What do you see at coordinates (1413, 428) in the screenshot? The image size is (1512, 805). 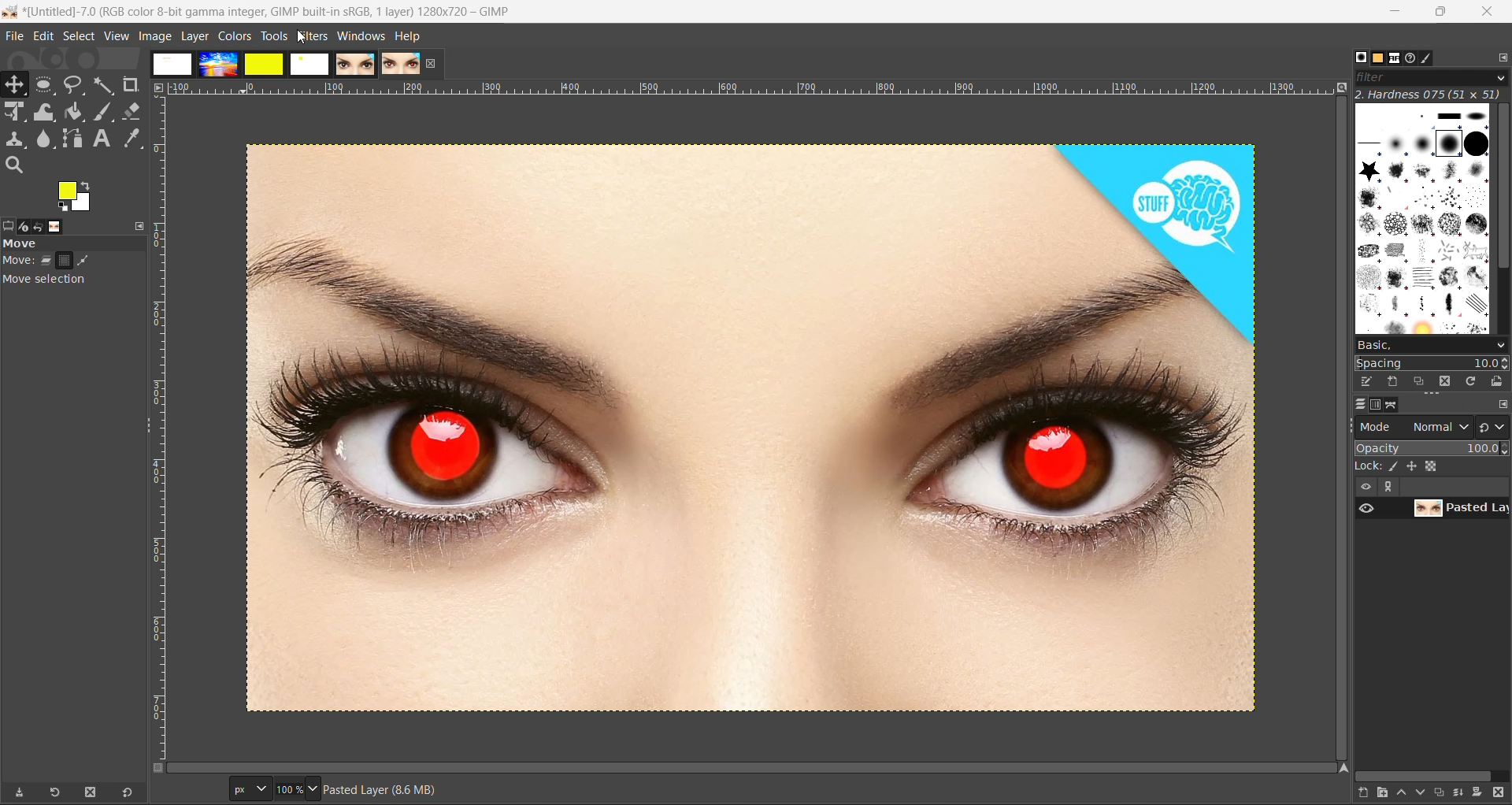 I see `mode` at bounding box center [1413, 428].